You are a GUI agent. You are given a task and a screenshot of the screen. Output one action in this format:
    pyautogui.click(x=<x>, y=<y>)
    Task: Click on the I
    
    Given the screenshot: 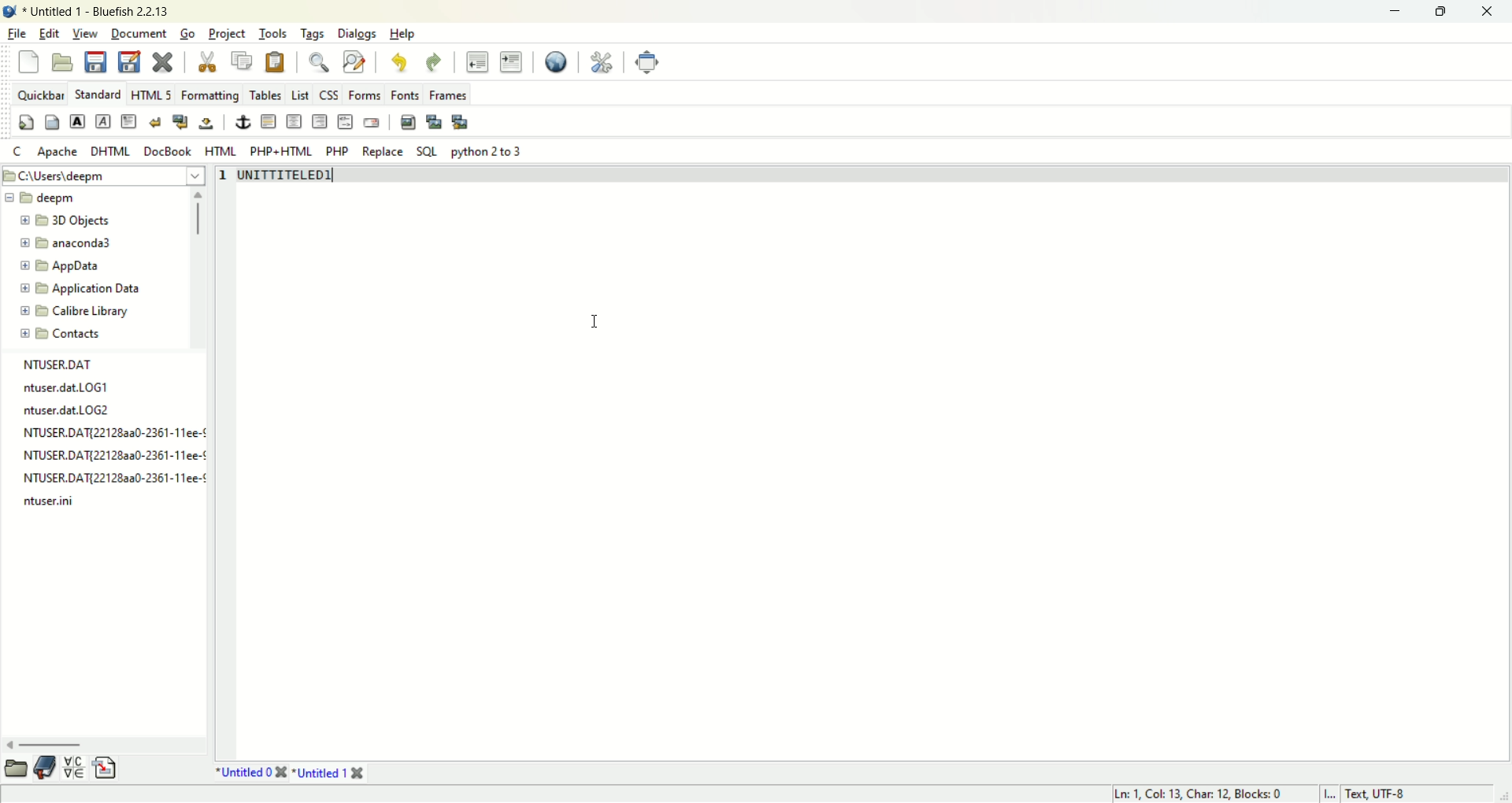 What is the action you would take?
    pyautogui.click(x=1330, y=793)
    